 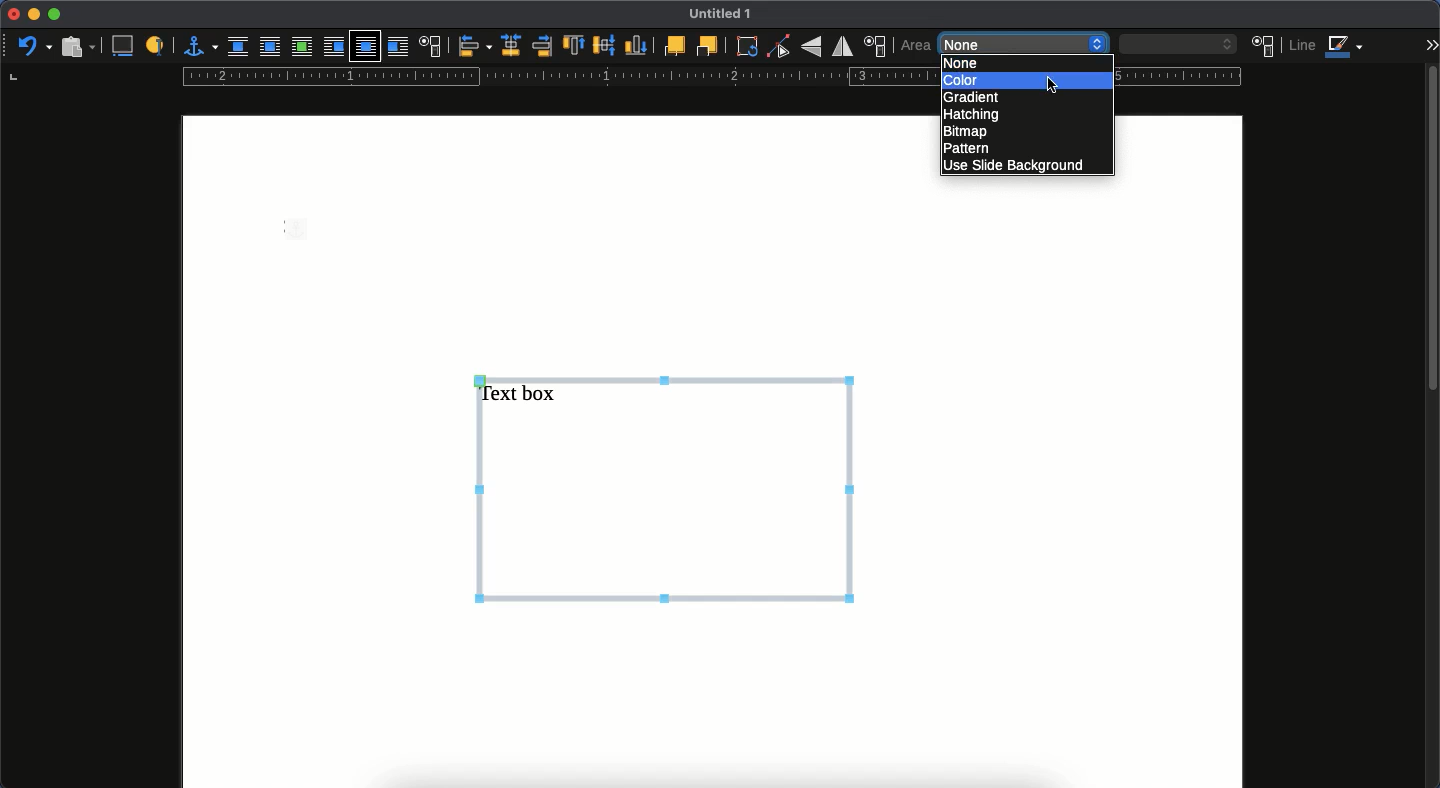 What do you see at coordinates (200, 45) in the screenshot?
I see `anchor for object` at bounding box center [200, 45].